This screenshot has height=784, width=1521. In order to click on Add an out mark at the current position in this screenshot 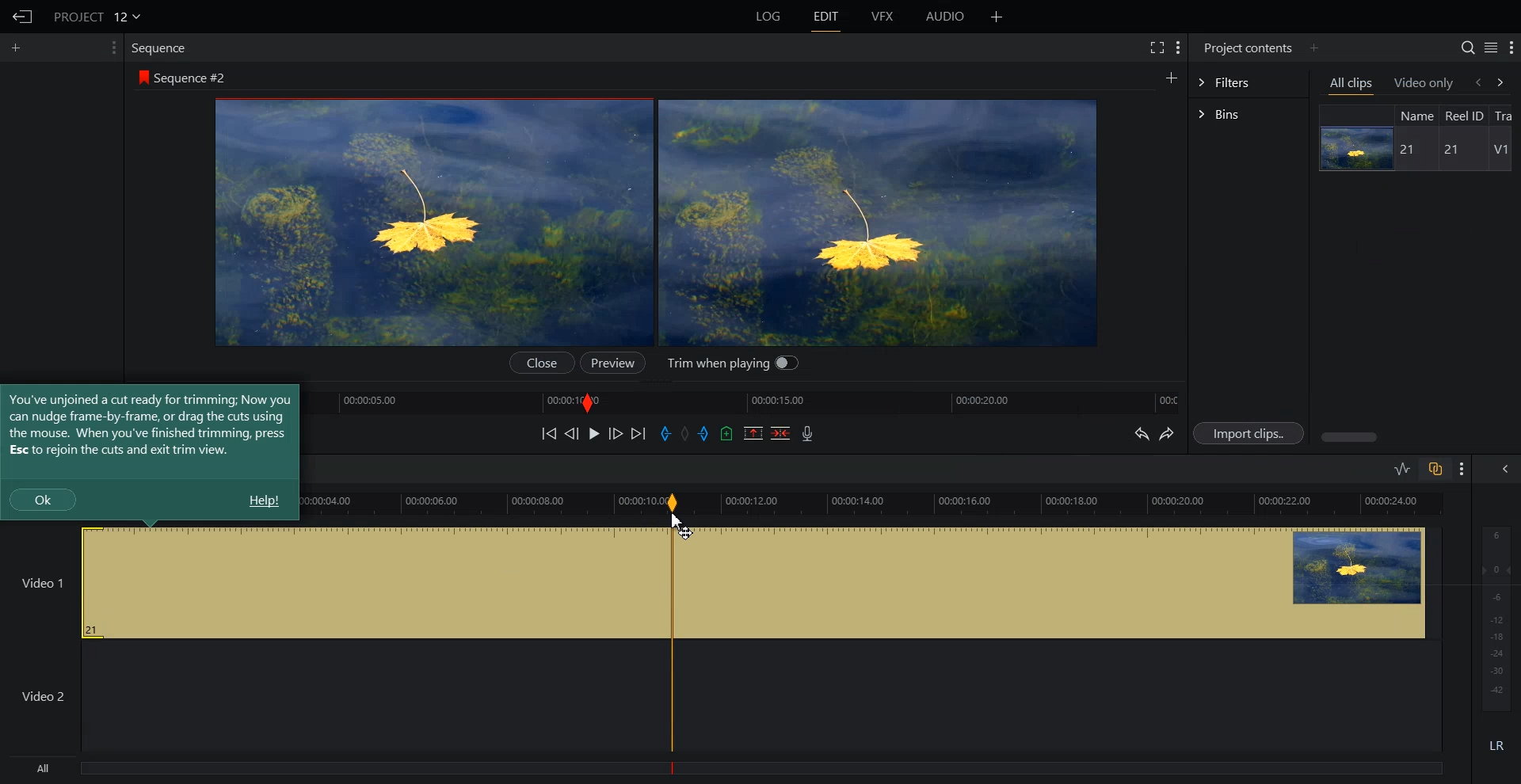, I will do `click(705, 432)`.